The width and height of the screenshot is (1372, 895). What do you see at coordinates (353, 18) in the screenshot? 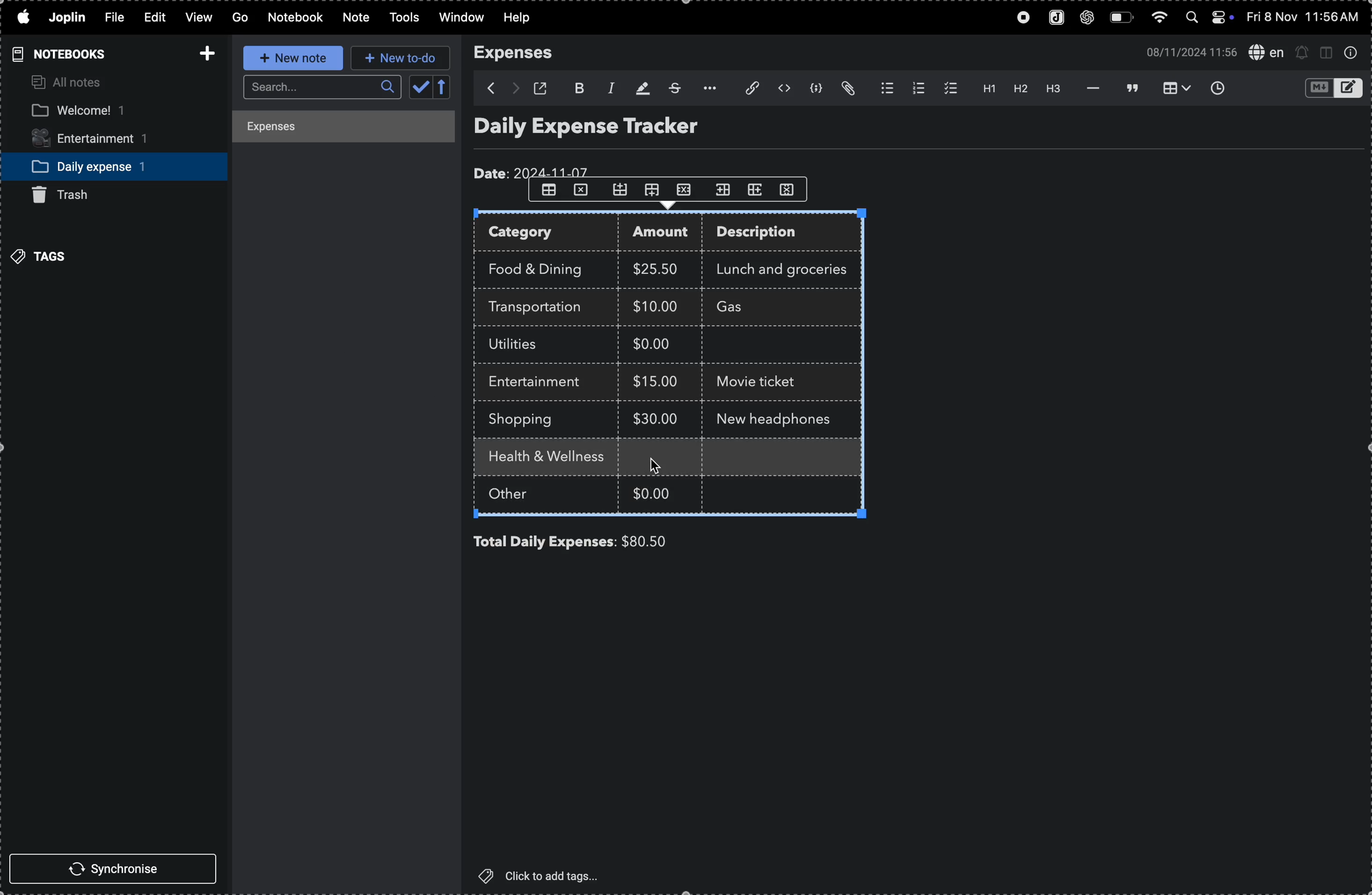
I see `note` at bounding box center [353, 18].